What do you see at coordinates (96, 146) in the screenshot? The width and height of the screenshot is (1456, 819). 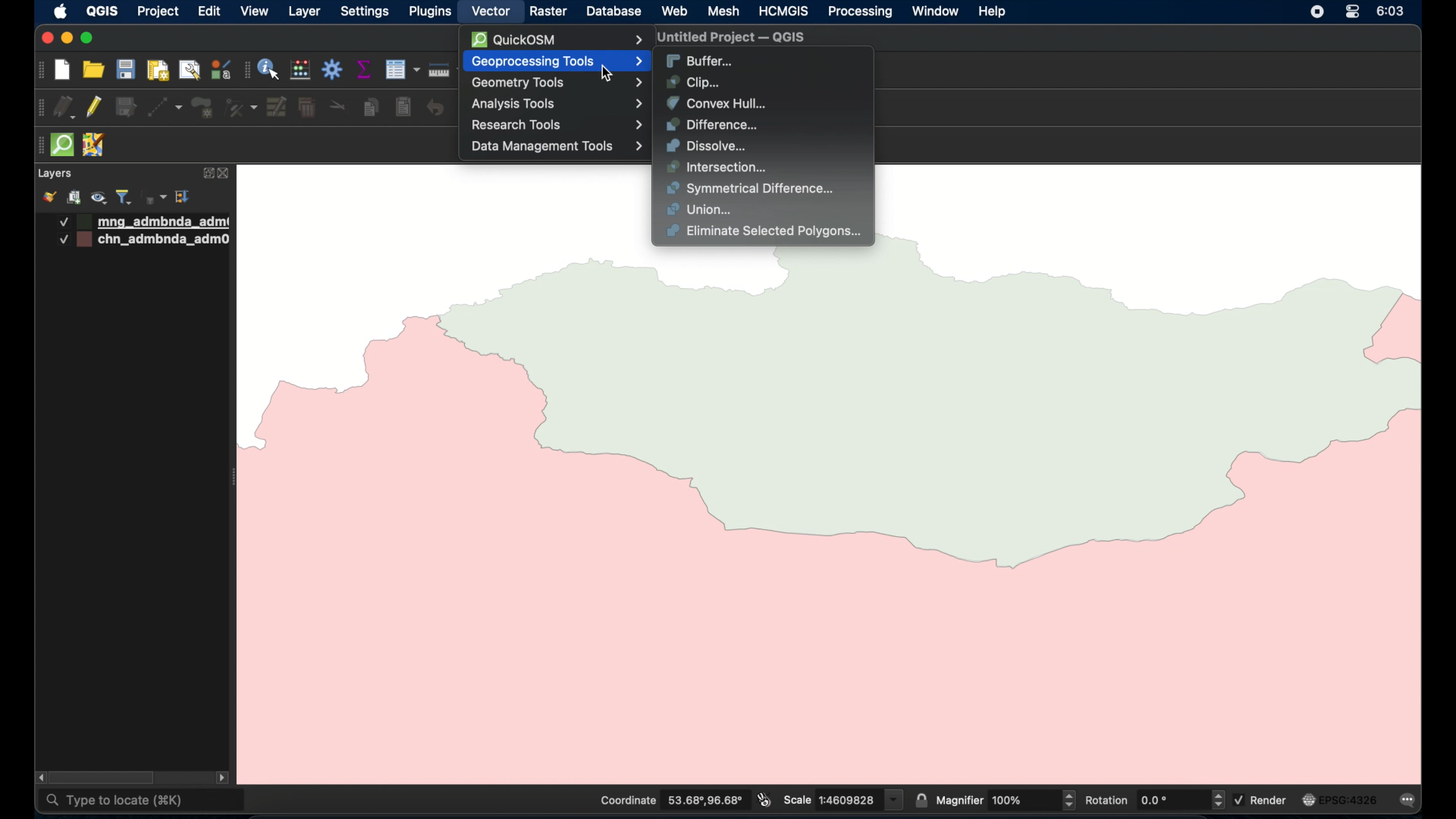 I see `jsom remote` at bounding box center [96, 146].